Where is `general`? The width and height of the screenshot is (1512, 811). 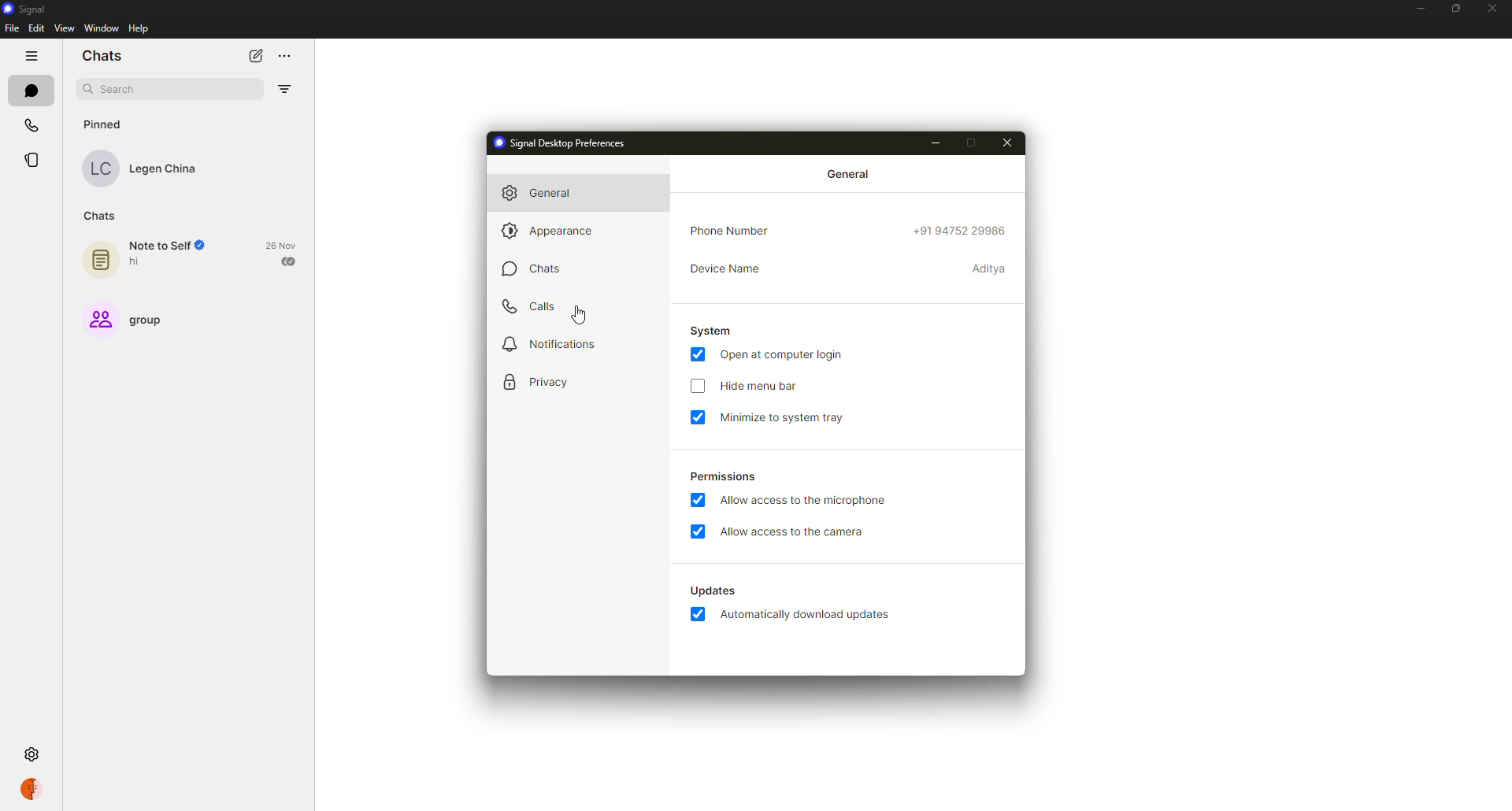 general is located at coordinates (543, 193).